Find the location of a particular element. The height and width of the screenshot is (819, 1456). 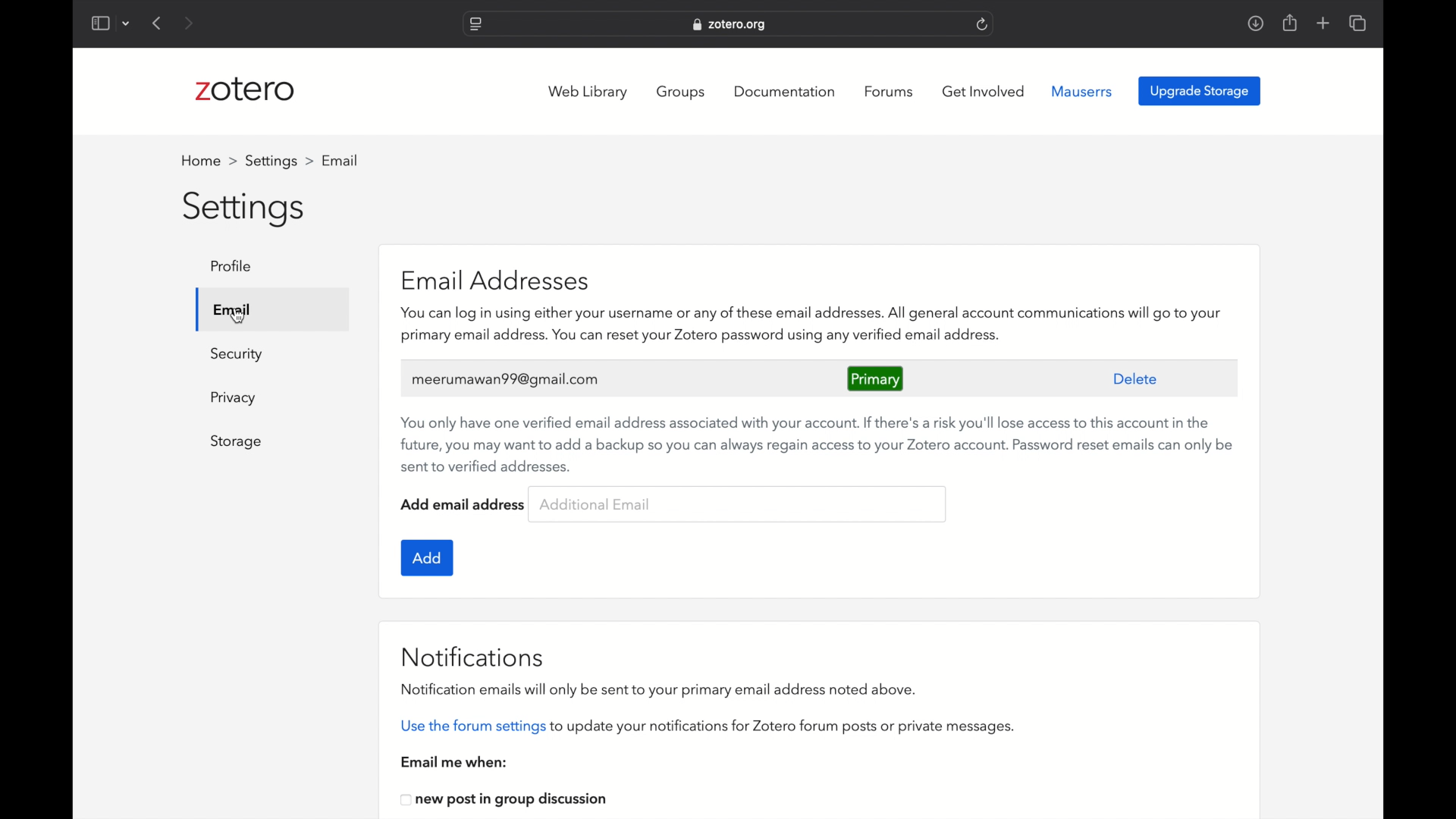

upgrade storage is located at coordinates (1200, 90).